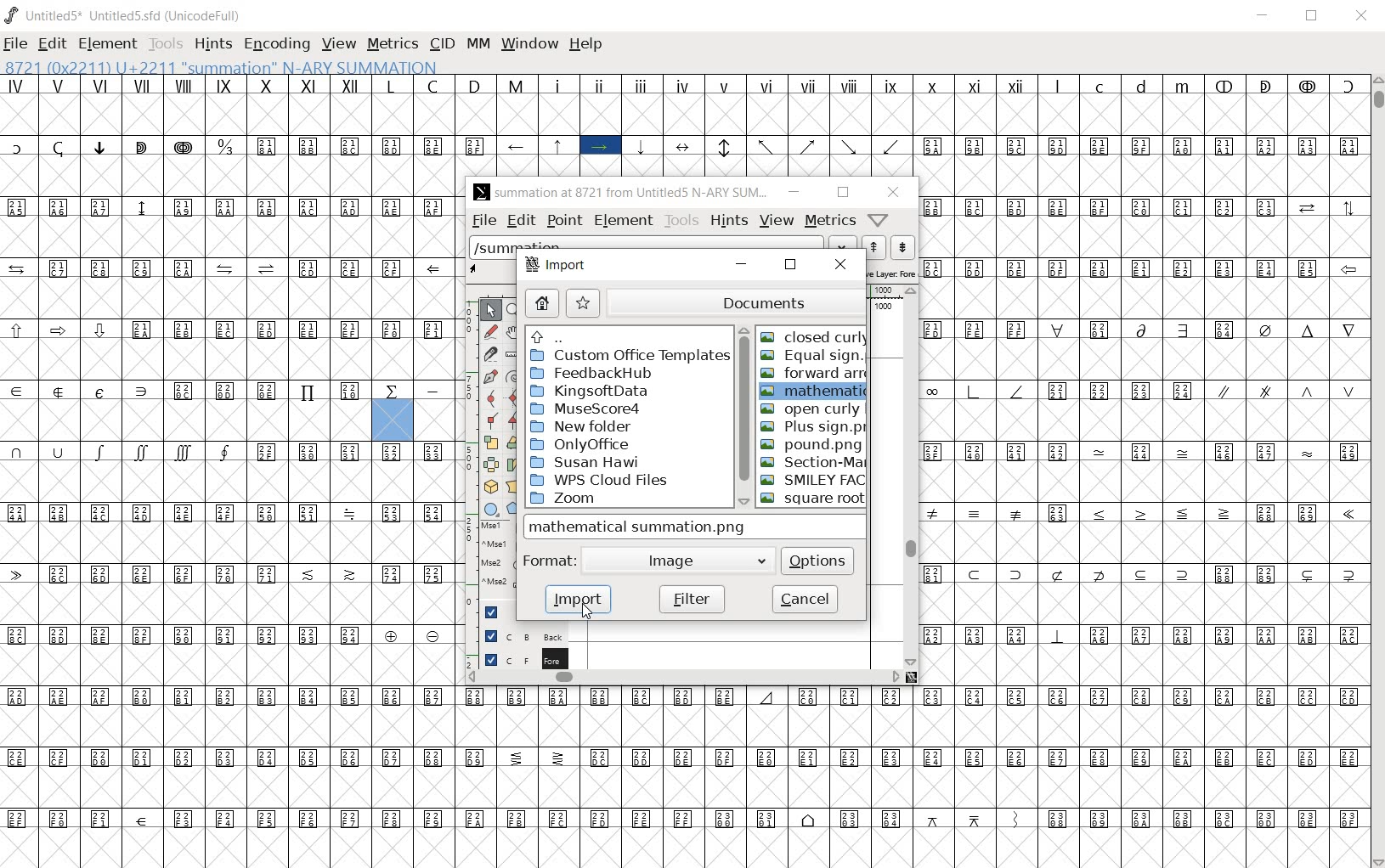  Describe the element at coordinates (810, 356) in the screenshot. I see `equal sign` at that location.